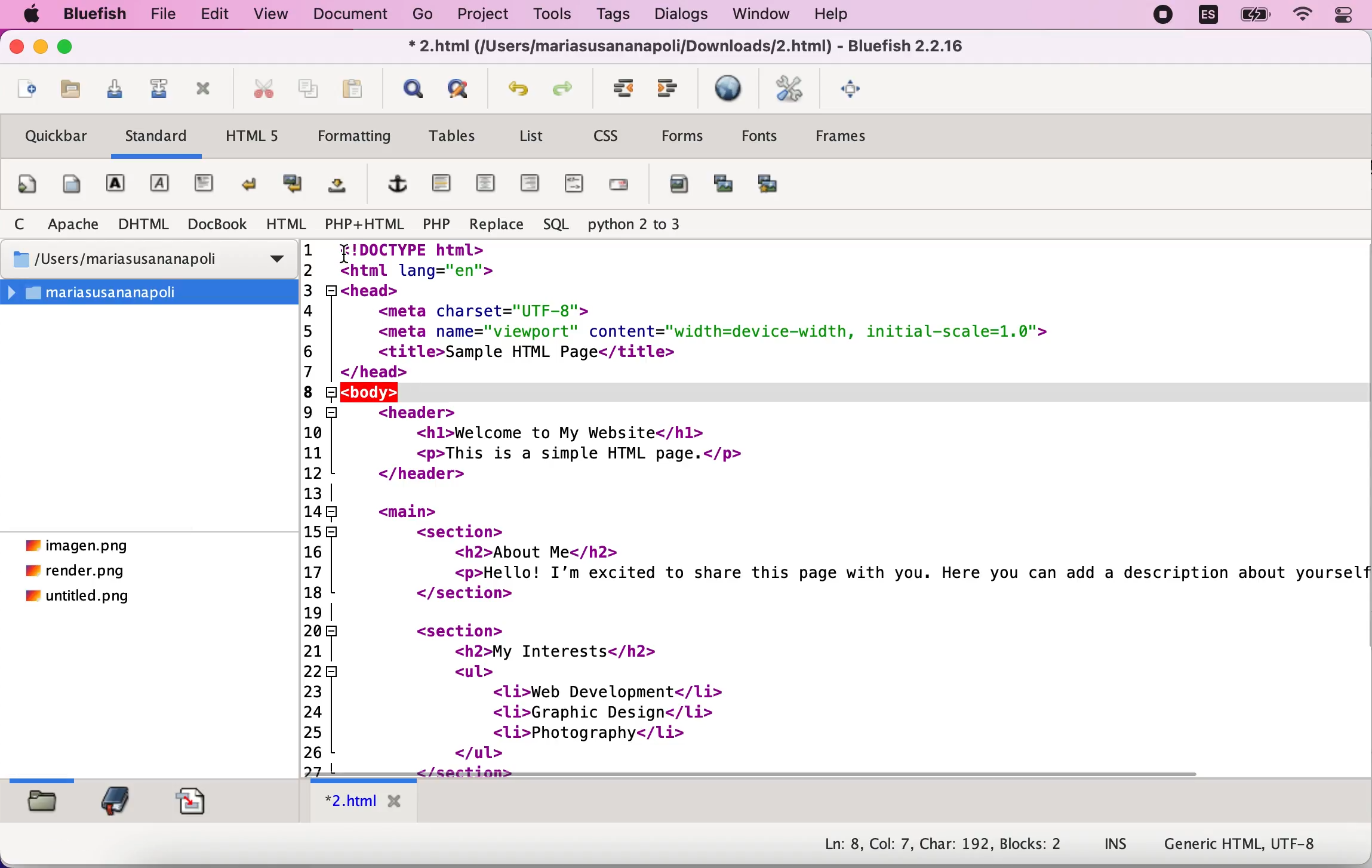 This screenshot has height=868, width=1372. What do you see at coordinates (450, 138) in the screenshot?
I see `tables` at bounding box center [450, 138].